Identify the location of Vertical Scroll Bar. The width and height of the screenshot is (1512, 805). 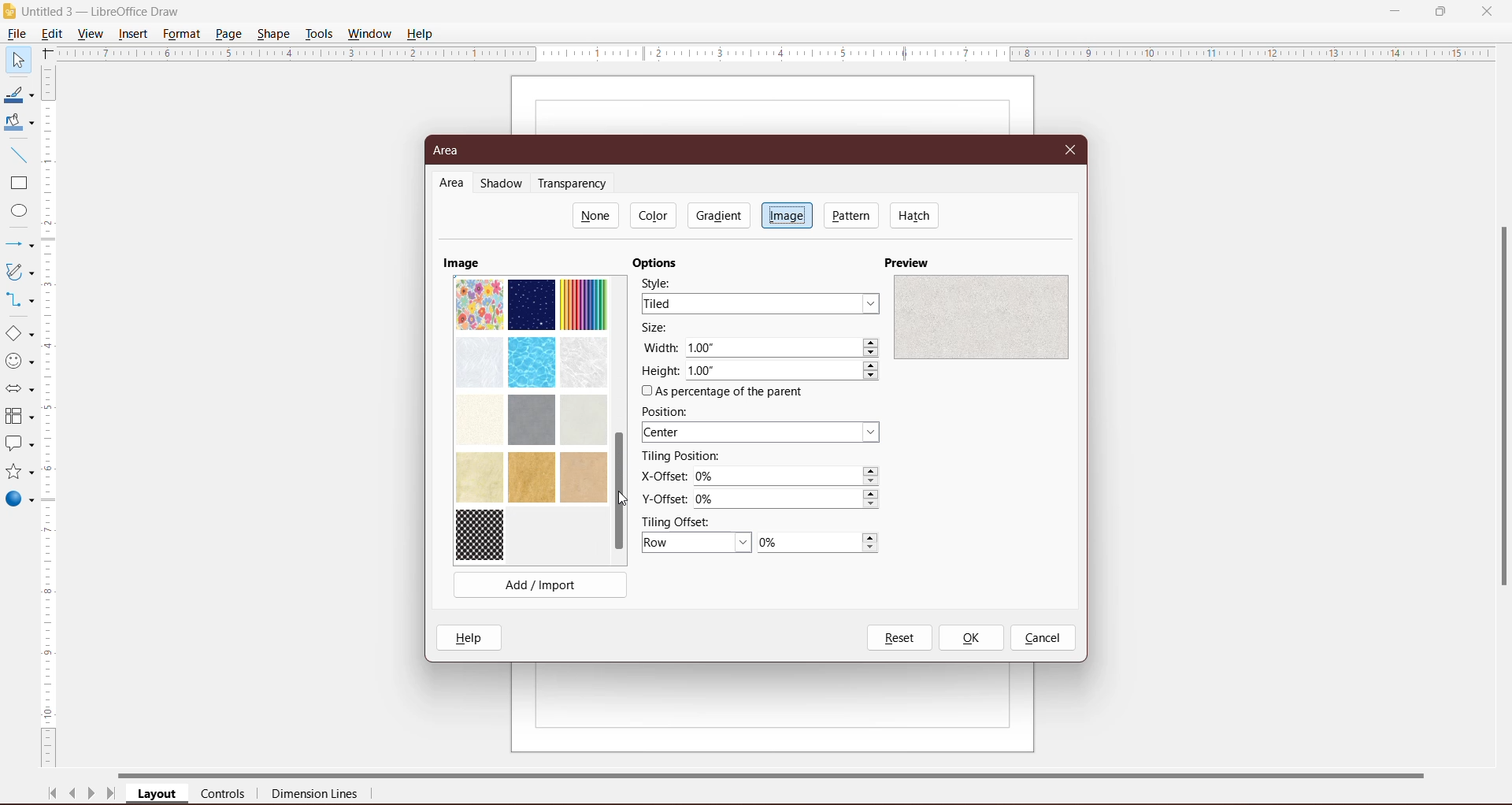
(50, 417).